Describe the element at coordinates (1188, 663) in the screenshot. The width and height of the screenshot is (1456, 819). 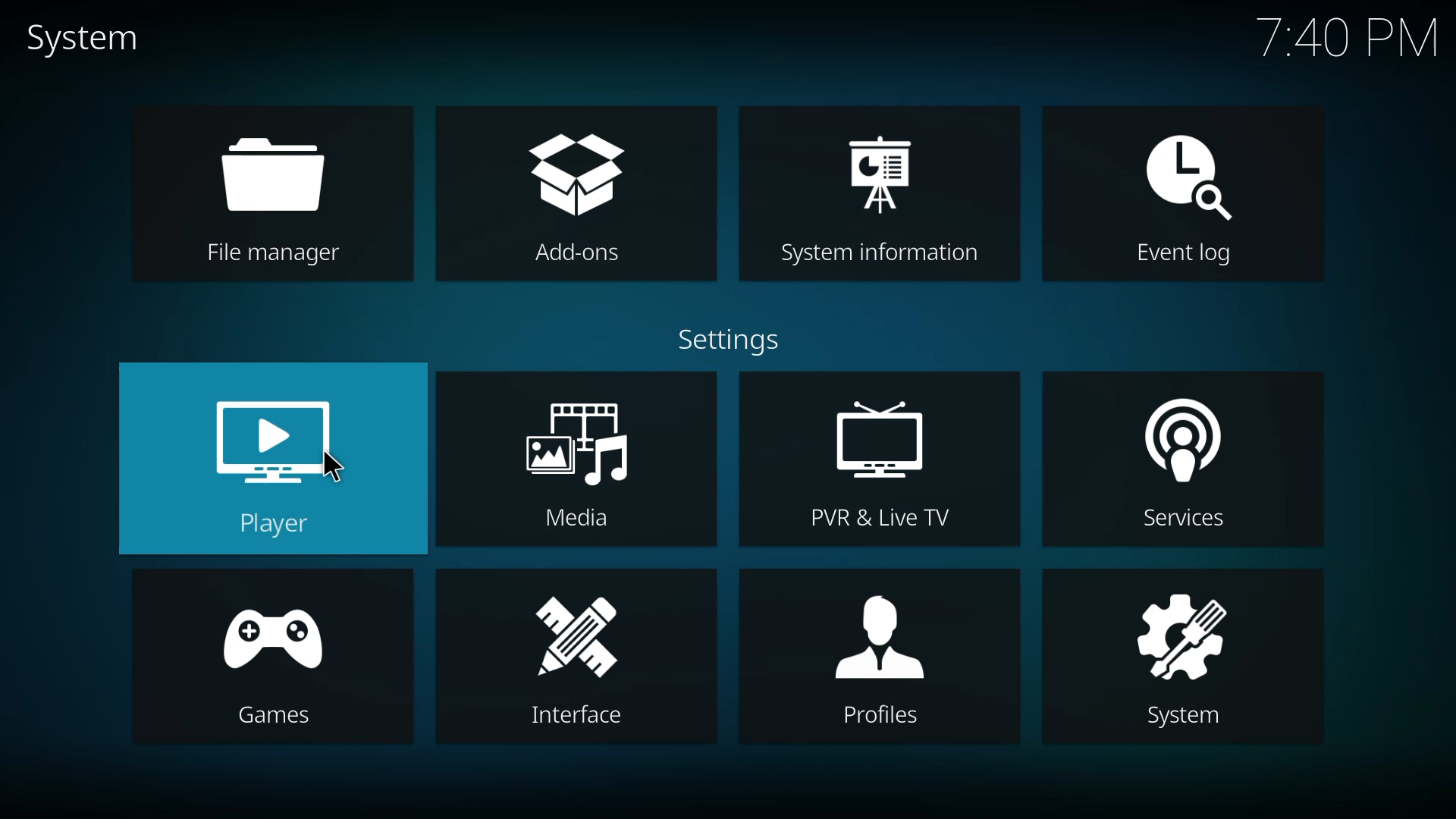
I see `system` at that location.